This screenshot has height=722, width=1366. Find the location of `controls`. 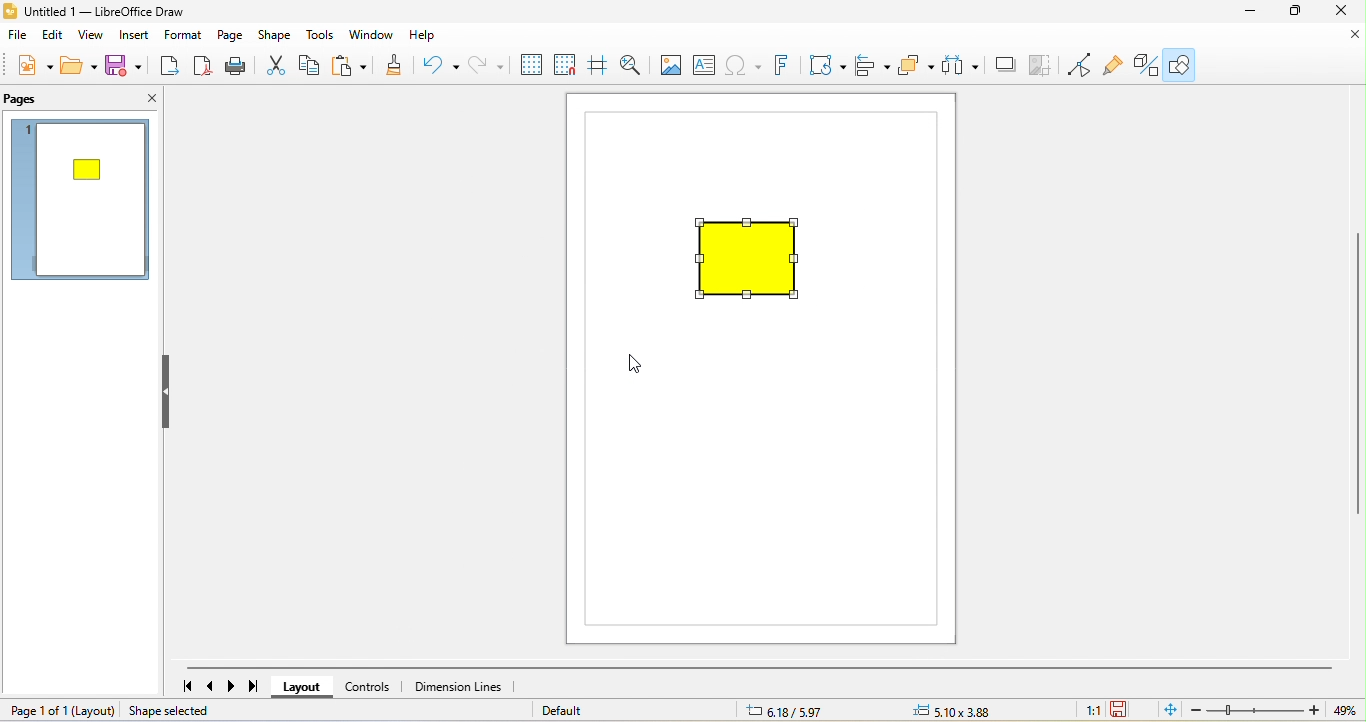

controls is located at coordinates (372, 687).